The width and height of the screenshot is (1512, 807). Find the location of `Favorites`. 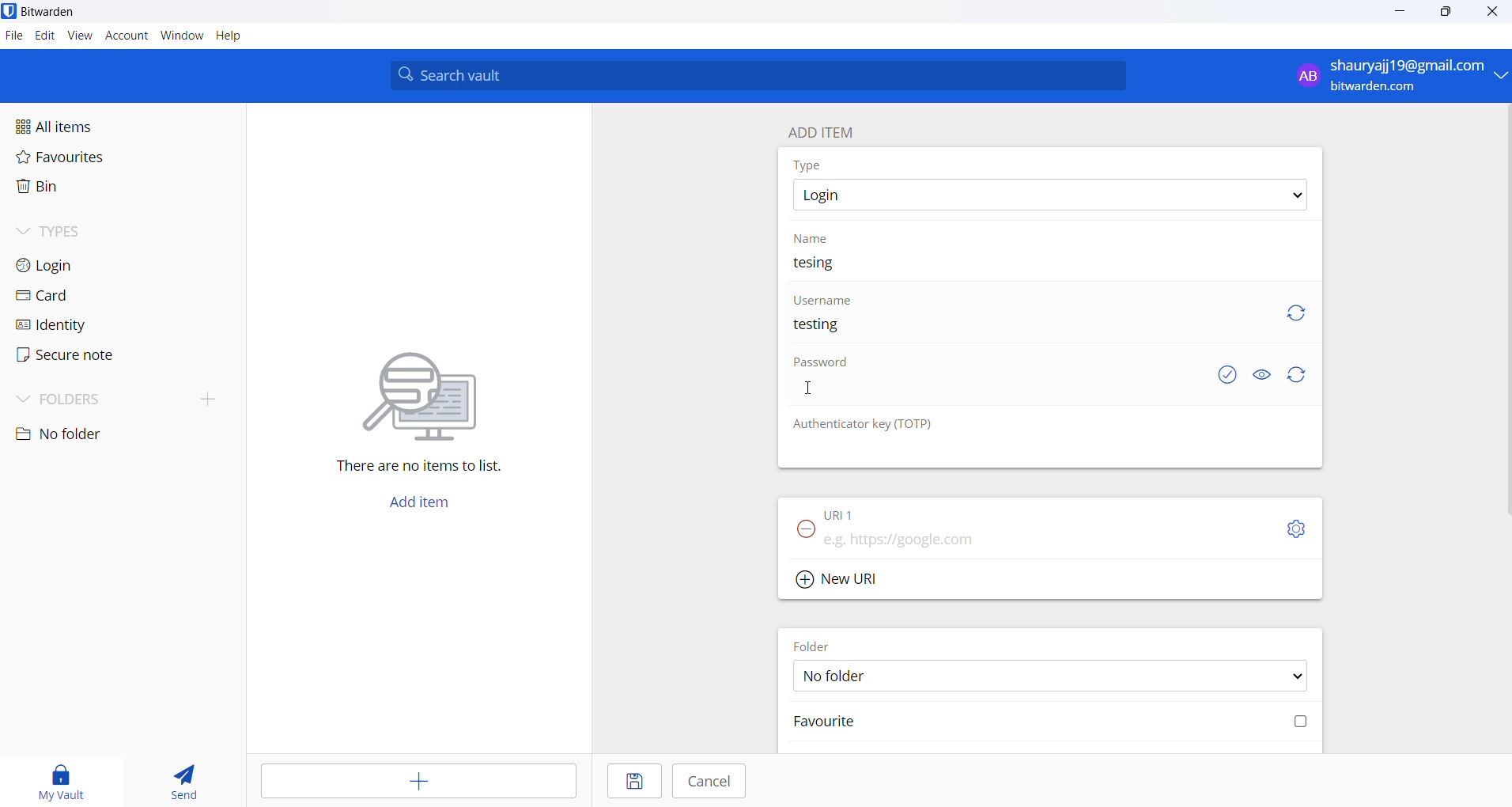

Favorites is located at coordinates (96, 161).